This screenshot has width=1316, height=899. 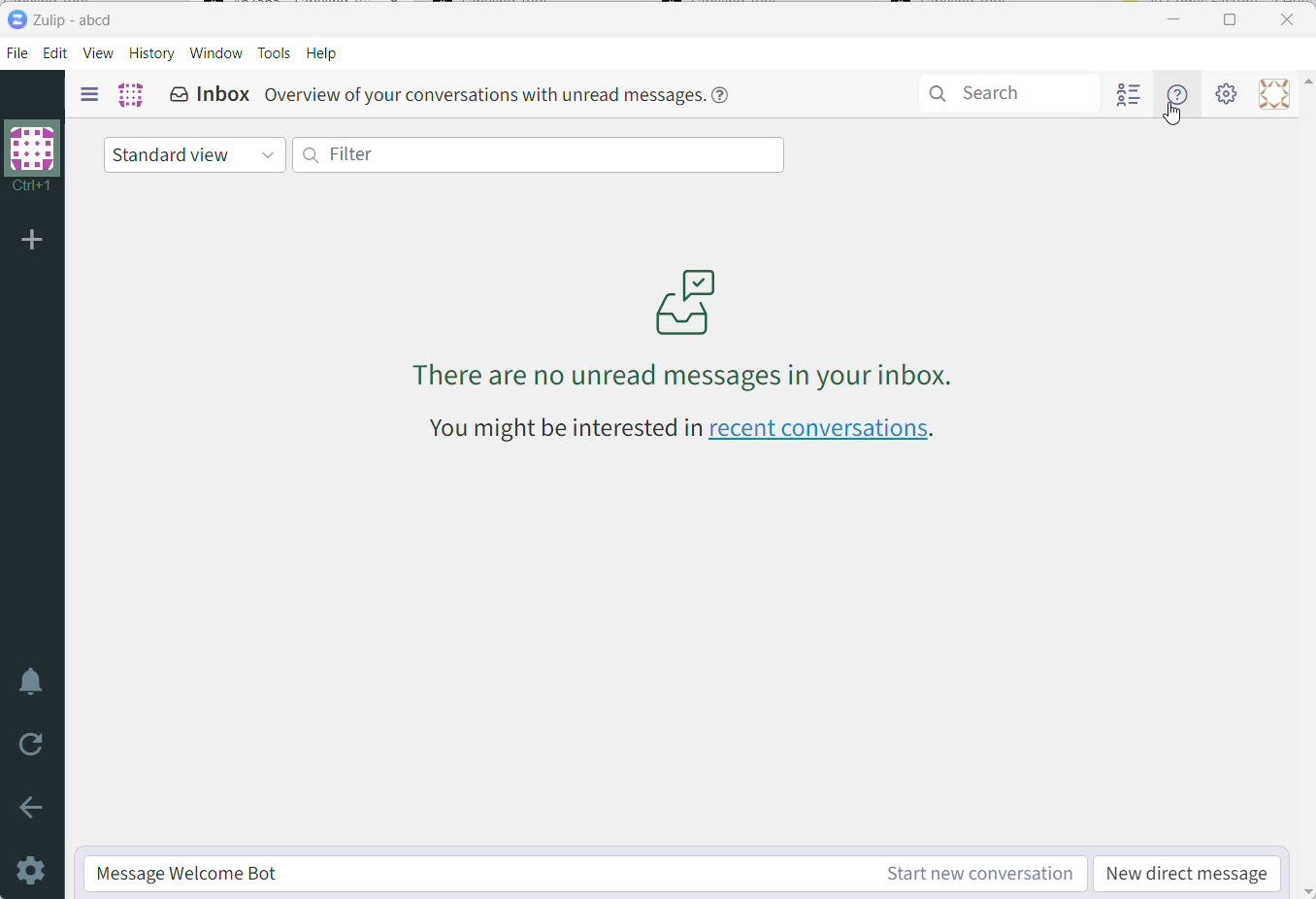 What do you see at coordinates (976, 874) in the screenshot?
I see `Start New Conversation` at bounding box center [976, 874].